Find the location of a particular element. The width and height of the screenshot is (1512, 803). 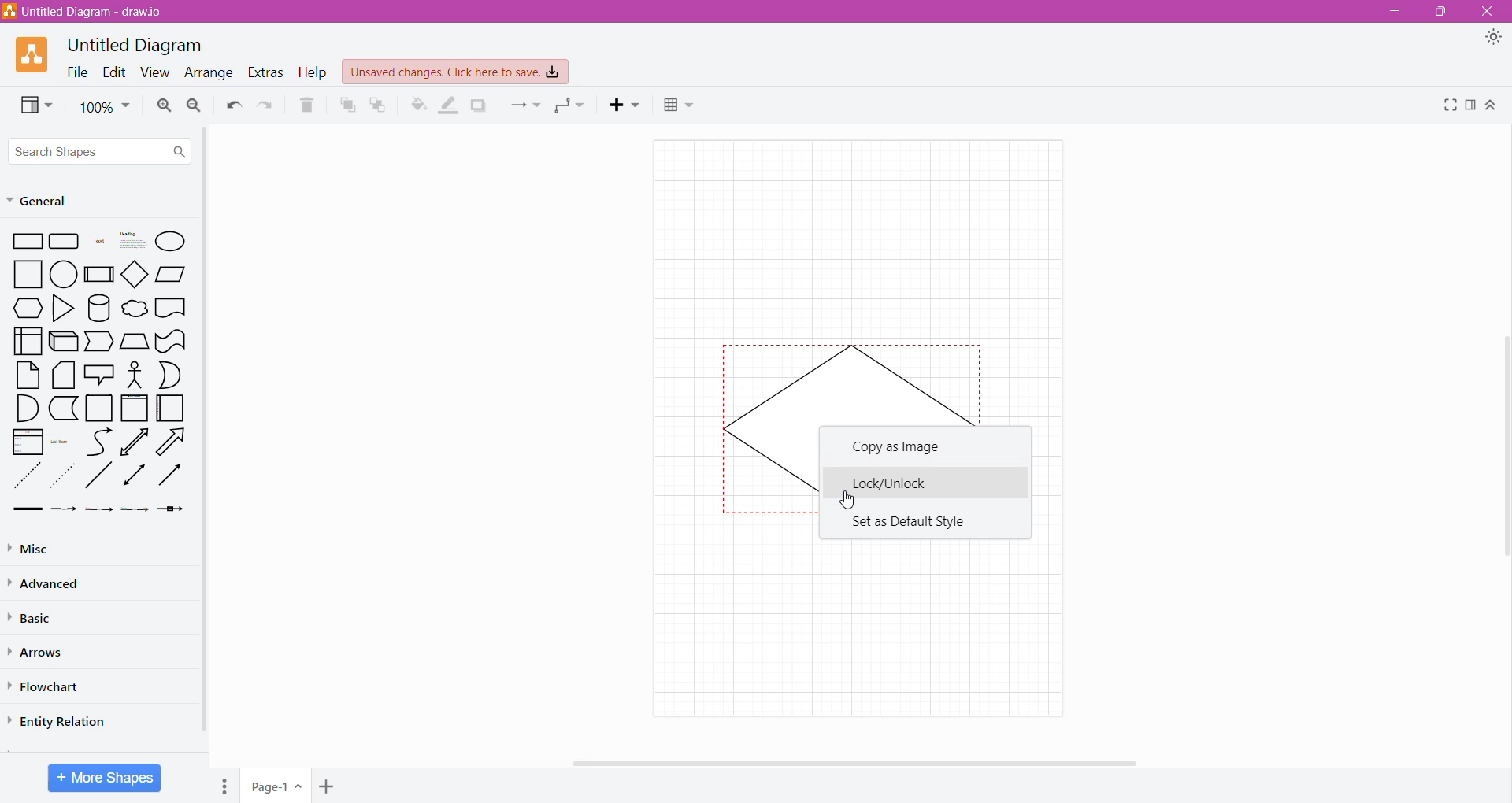

Help is located at coordinates (313, 73).